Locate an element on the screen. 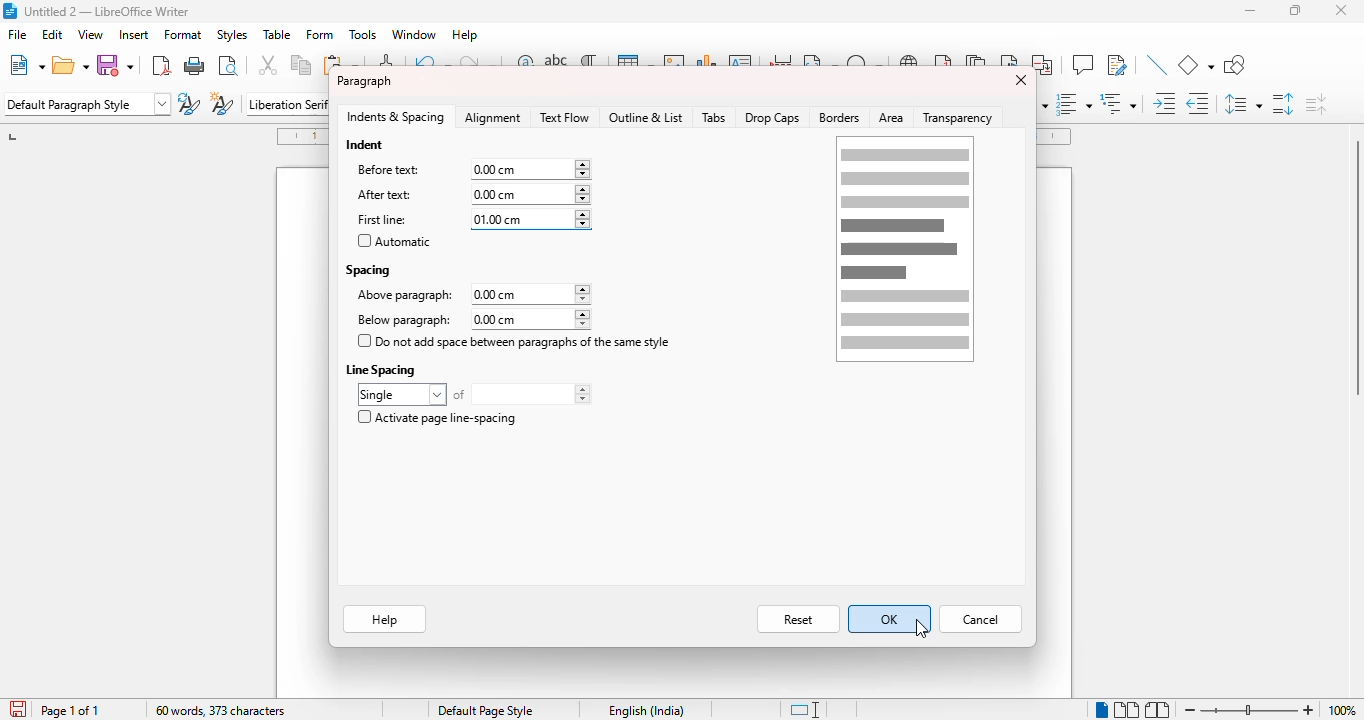 Image resolution: width=1364 pixels, height=720 pixels. font name is located at coordinates (286, 103).